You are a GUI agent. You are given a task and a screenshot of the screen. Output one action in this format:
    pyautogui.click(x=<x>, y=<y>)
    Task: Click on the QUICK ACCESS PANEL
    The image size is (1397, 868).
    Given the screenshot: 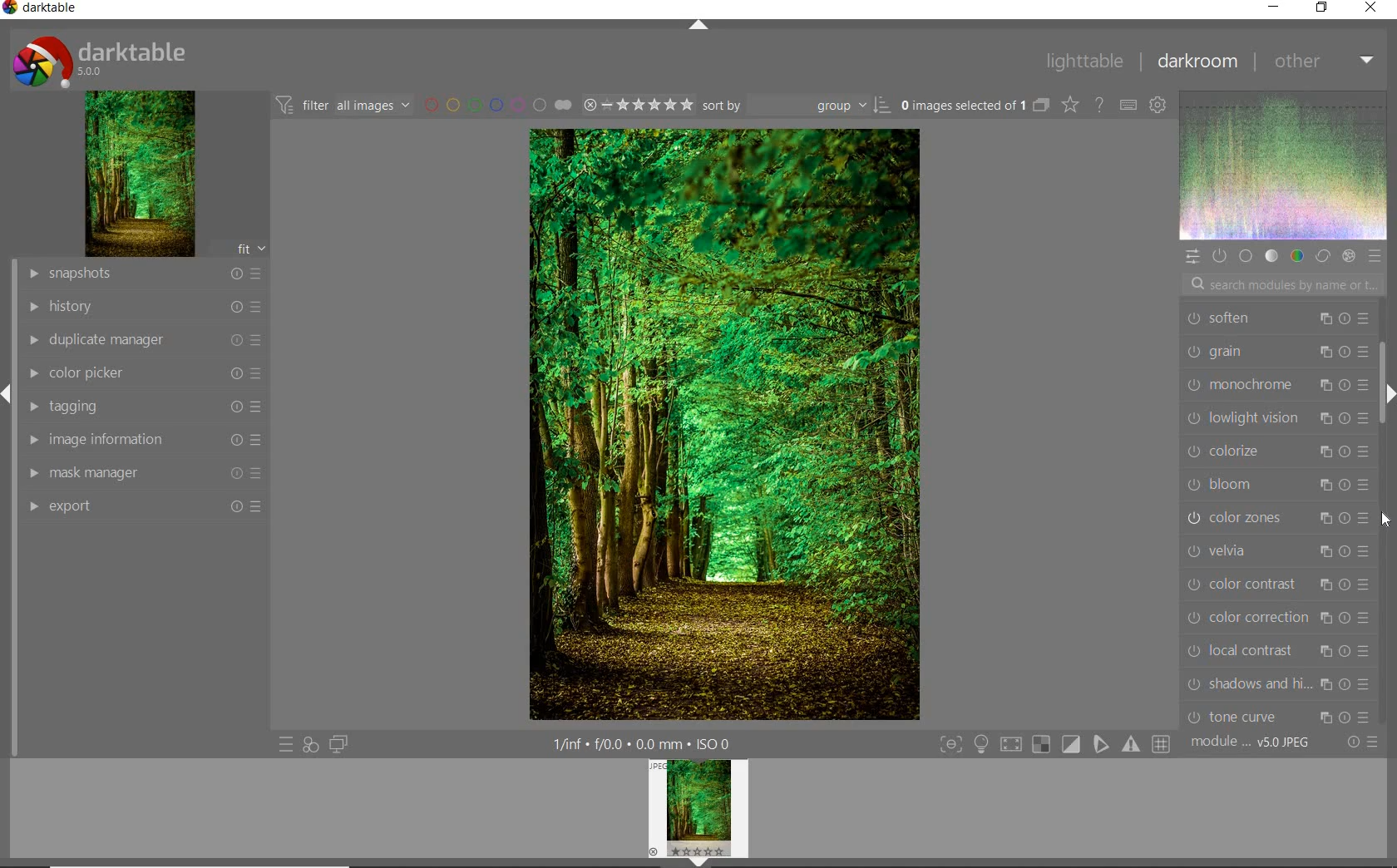 What is the action you would take?
    pyautogui.click(x=1193, y=256)
    